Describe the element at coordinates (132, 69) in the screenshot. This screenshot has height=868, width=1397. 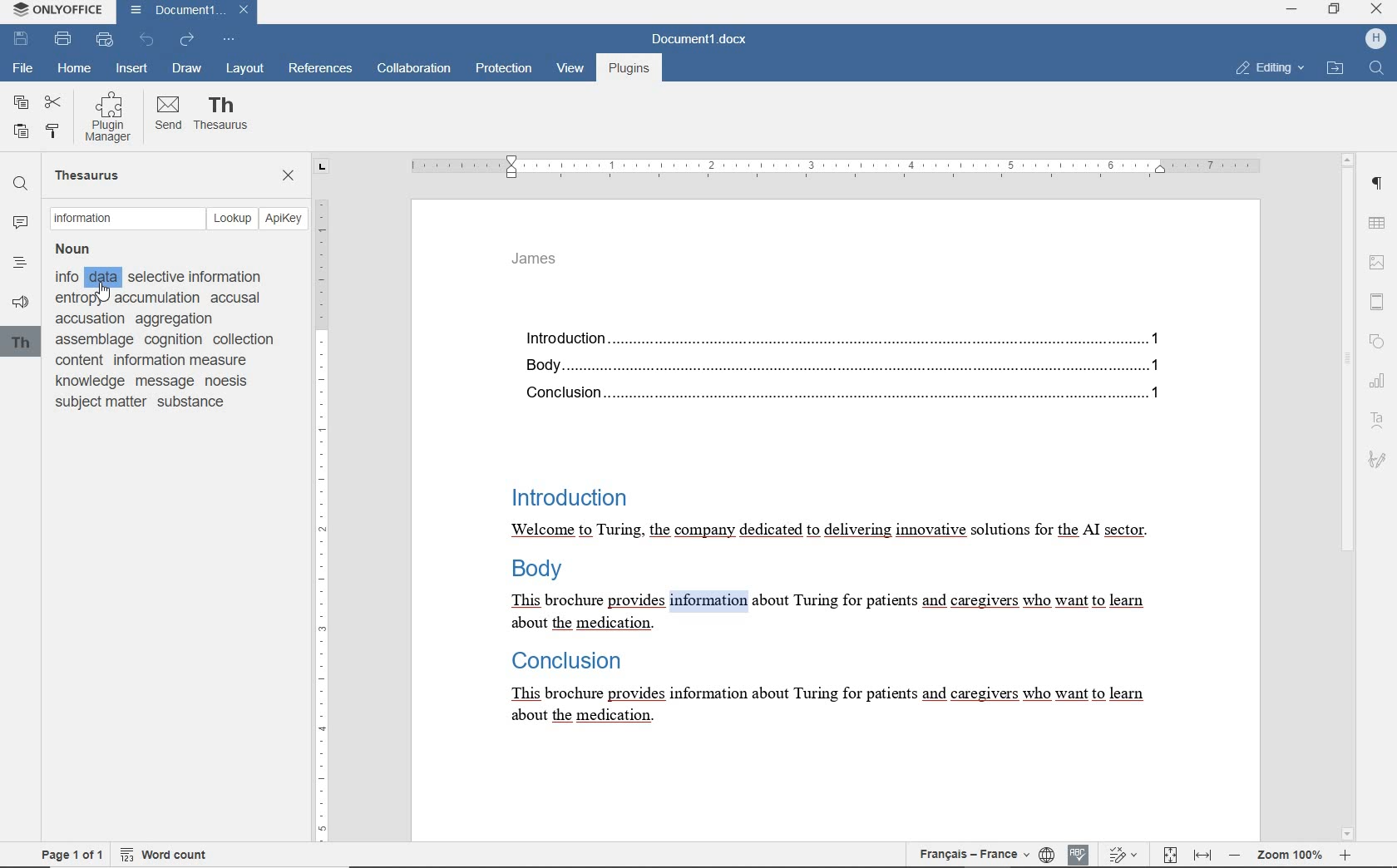
I see `INSERT` at that location.